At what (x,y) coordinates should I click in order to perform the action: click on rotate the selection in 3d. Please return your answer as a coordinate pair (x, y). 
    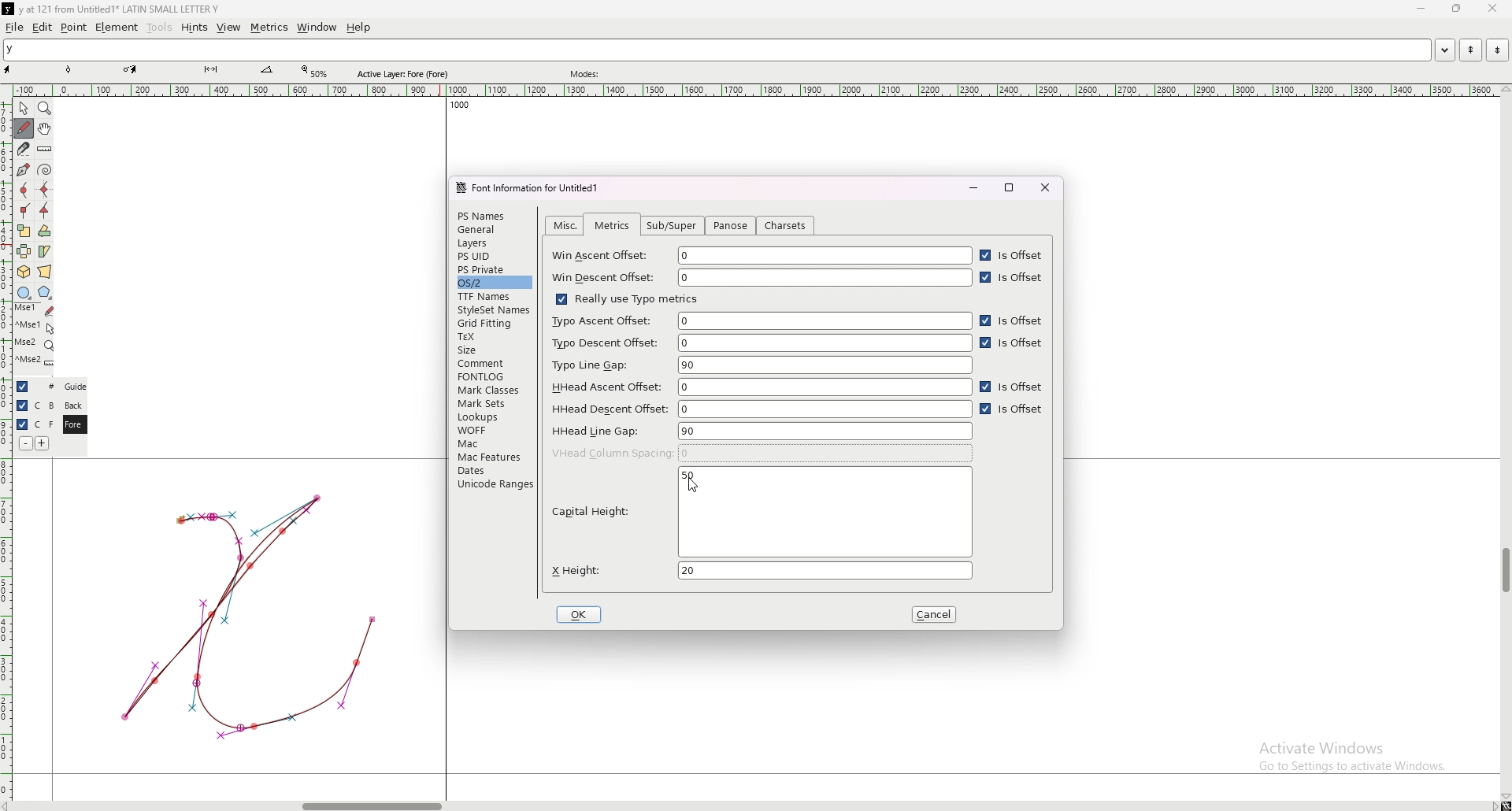
    Looking at the image, I should click on (24, 272).